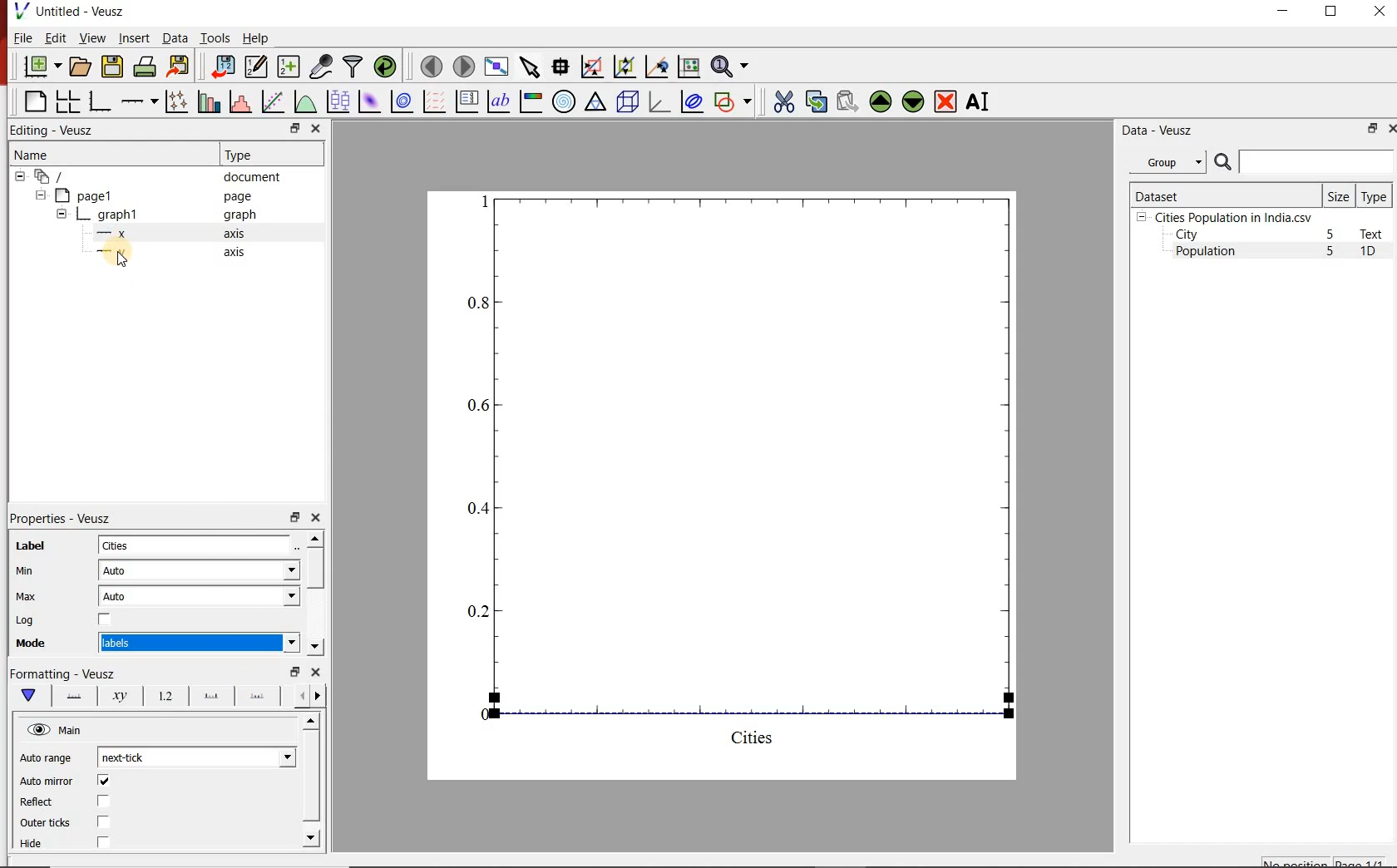 Image resolution: width=1397 pixels, height=868 pixels. What do you see at coordinates (179, 67) in the screenshot?
I see `export to graphics format` at bounding box center [179, 67].